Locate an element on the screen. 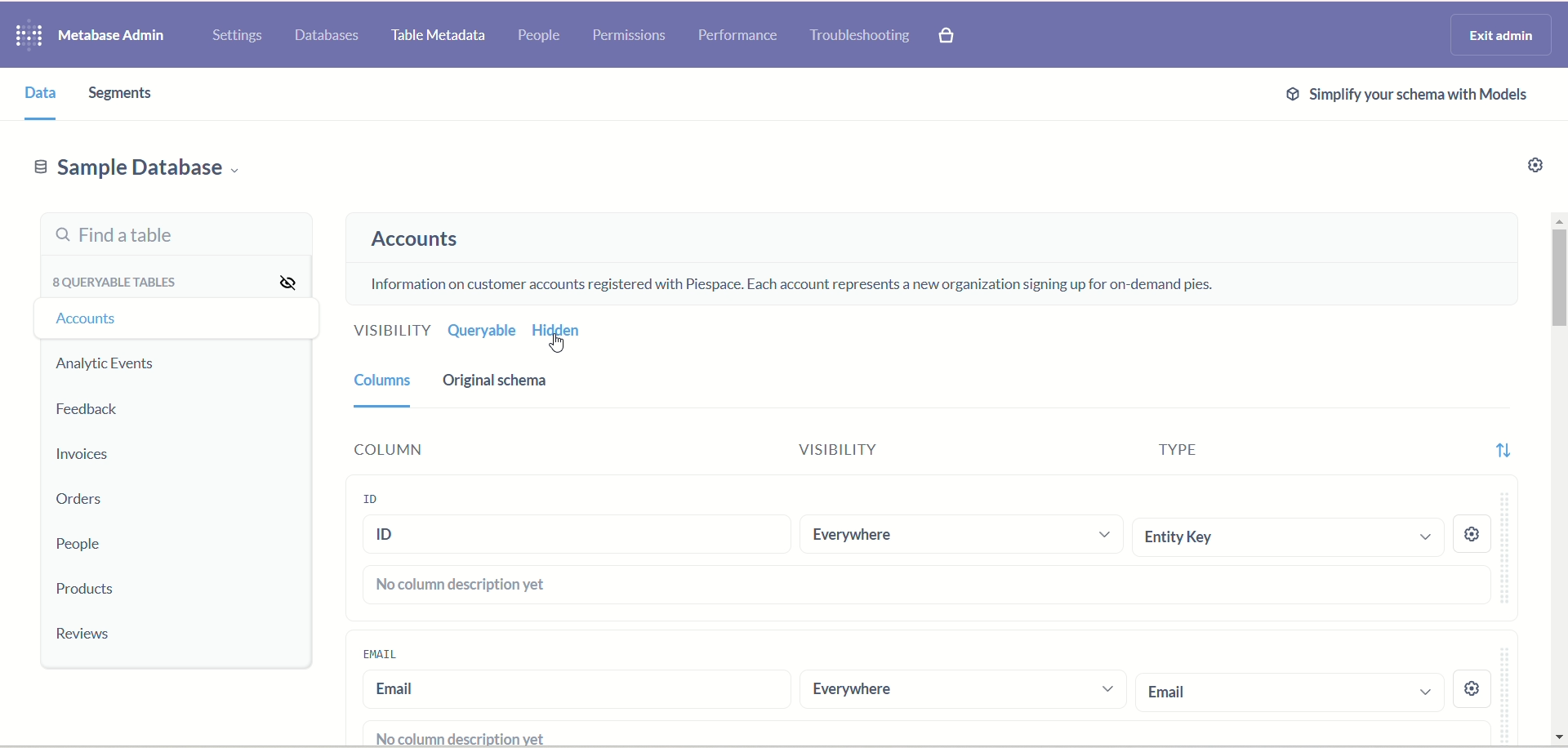 This screenshot has height=748, width=1568. email is located at coordinates (572, 690).